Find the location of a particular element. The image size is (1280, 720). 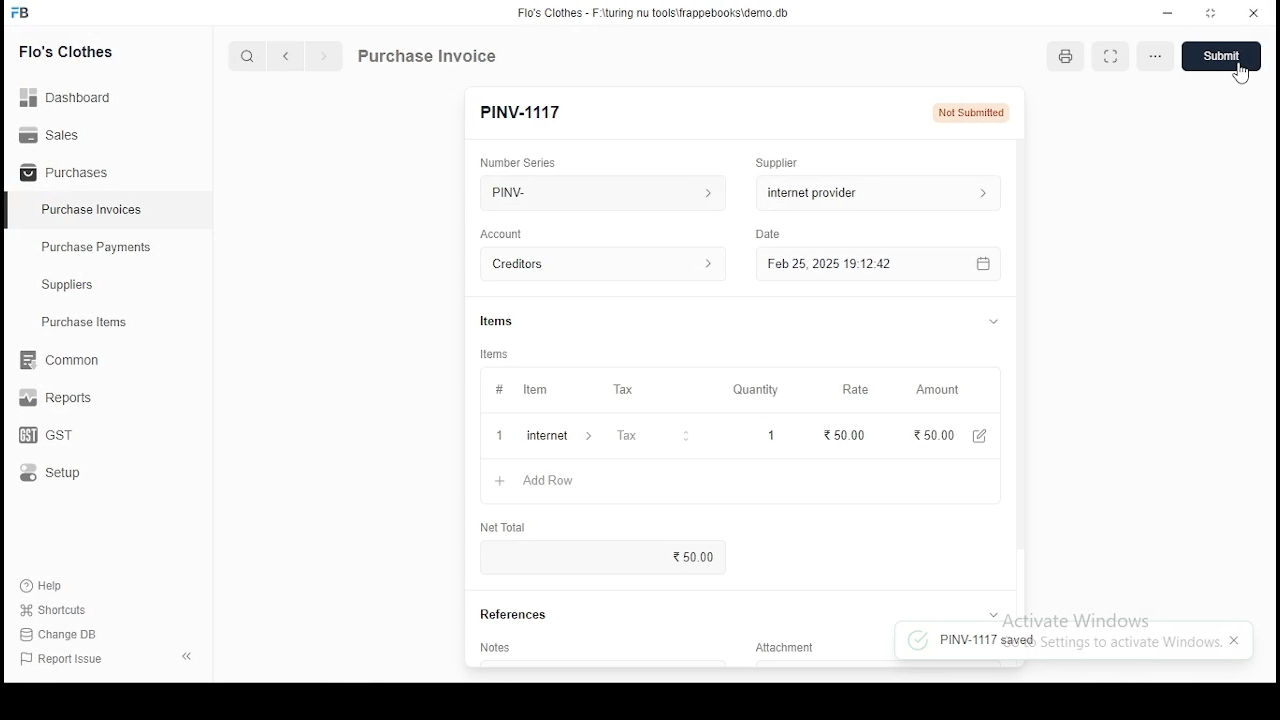

0.00 is located at coordinates (923, 435).